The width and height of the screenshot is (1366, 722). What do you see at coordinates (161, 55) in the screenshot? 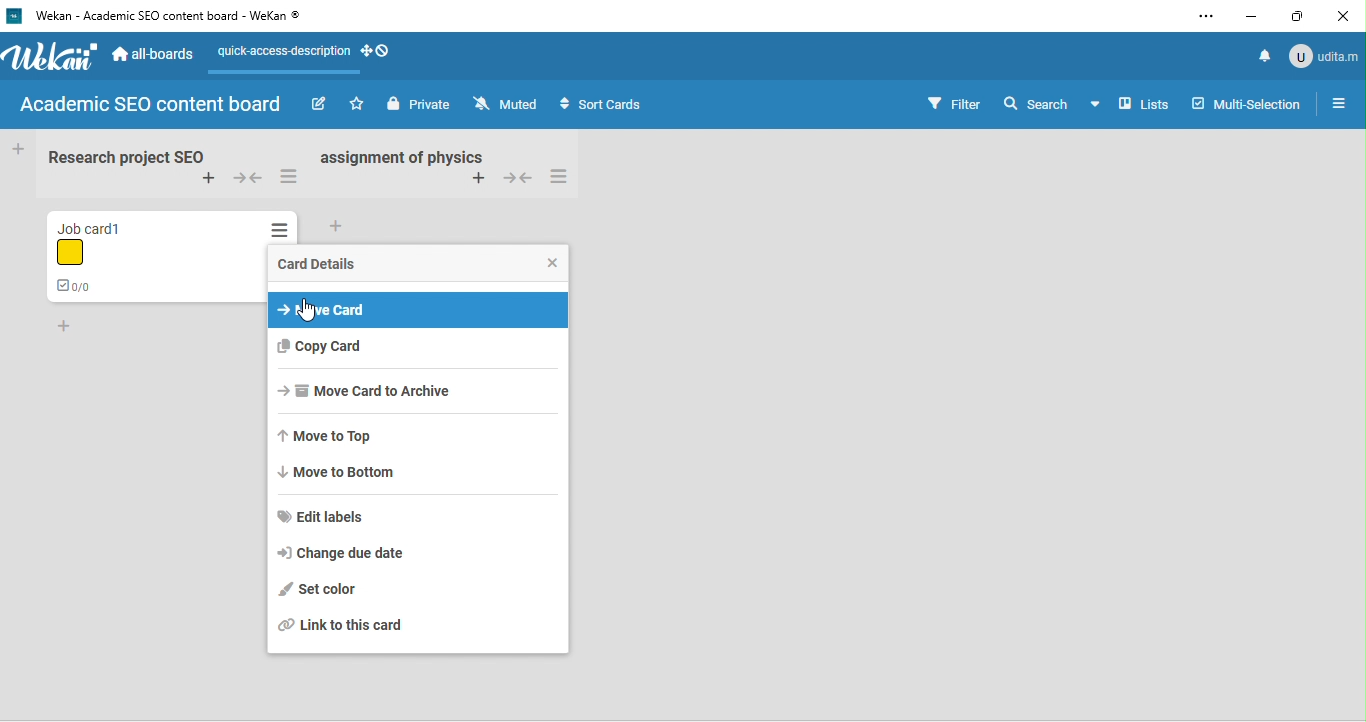
I see `all boards` at bounding box center [161, 55].